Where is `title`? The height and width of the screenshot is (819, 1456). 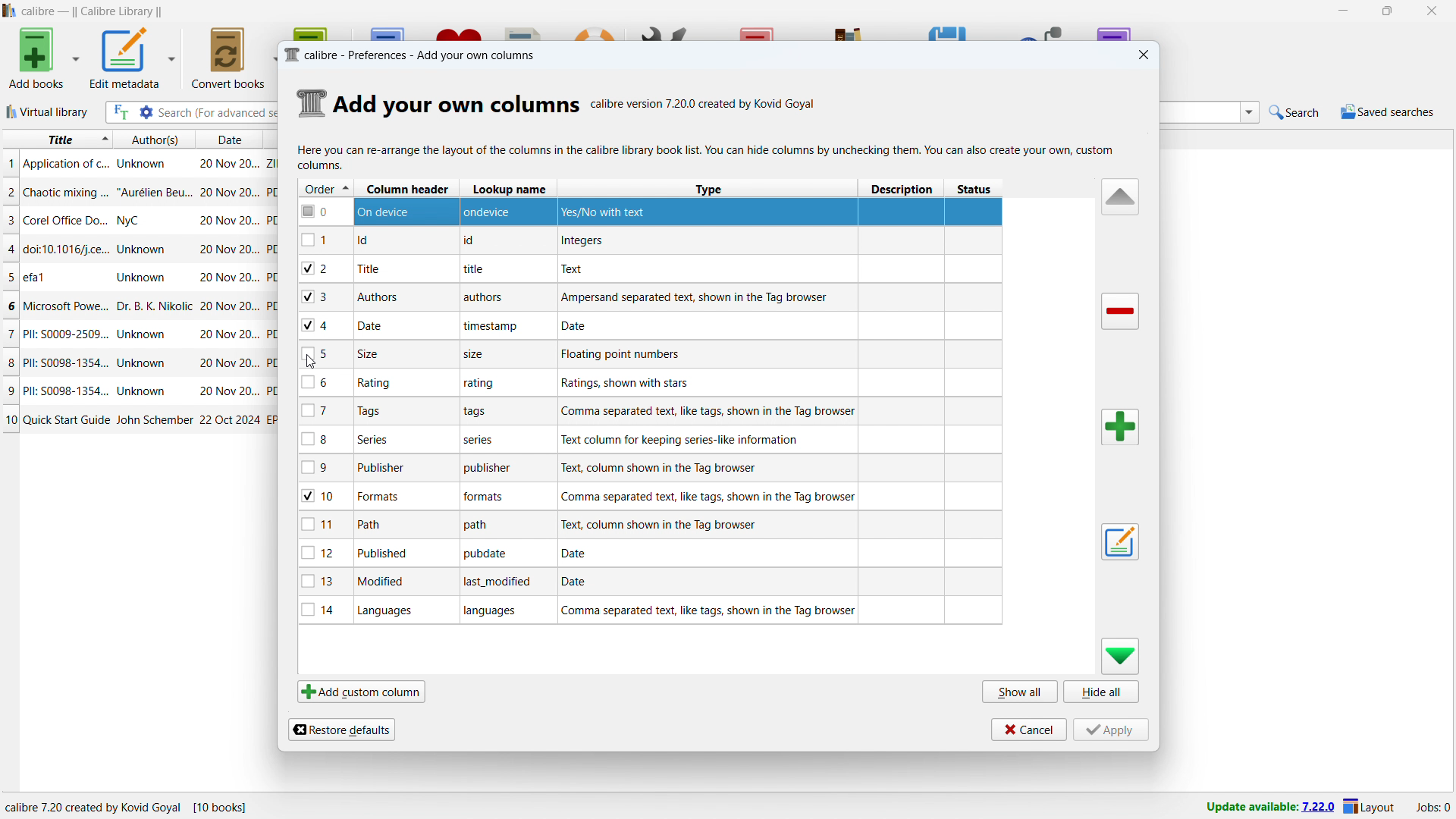 title is located at coordinates (66, 390).